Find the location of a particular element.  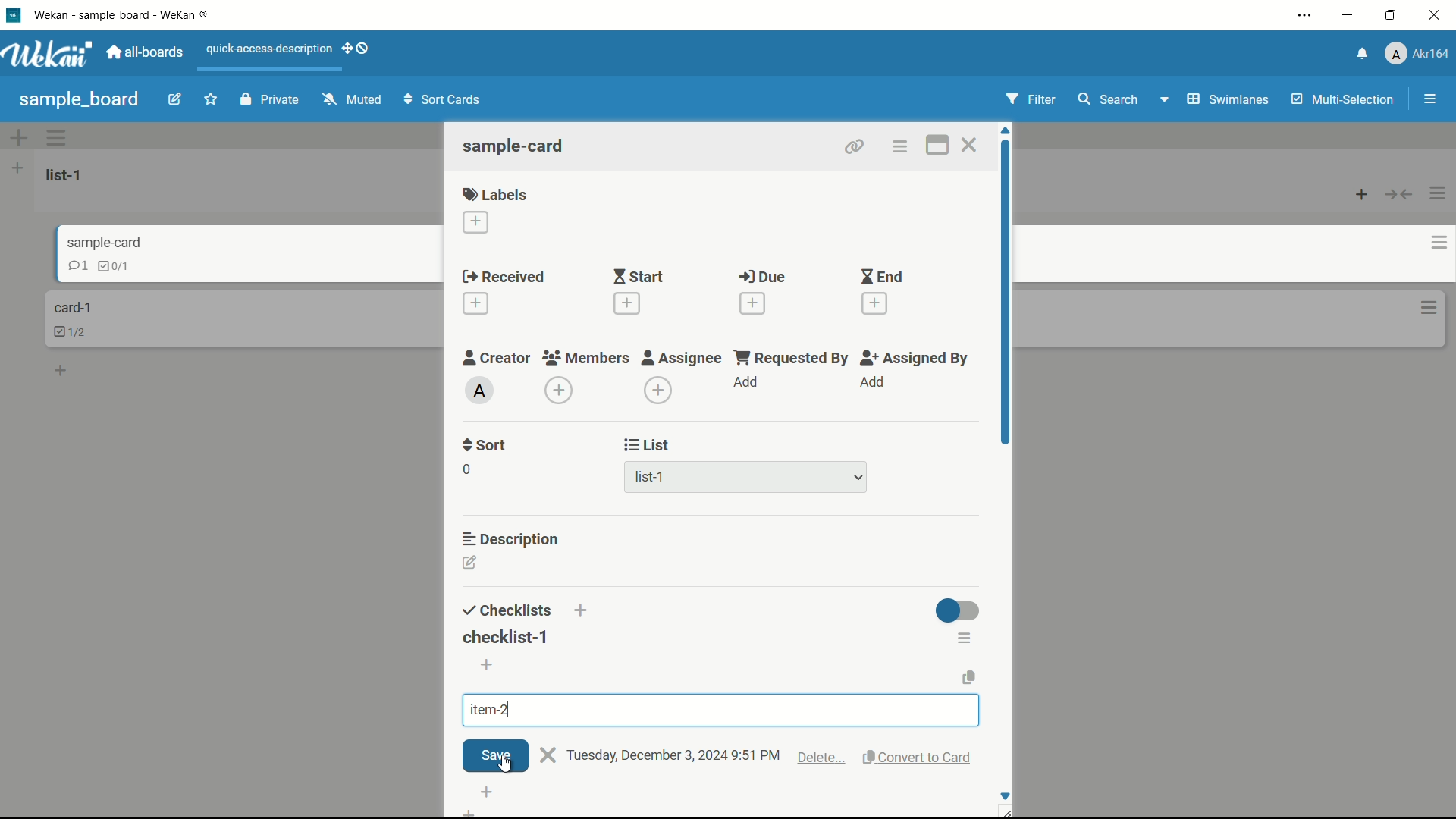

add date is located at coordinates (627, 303).